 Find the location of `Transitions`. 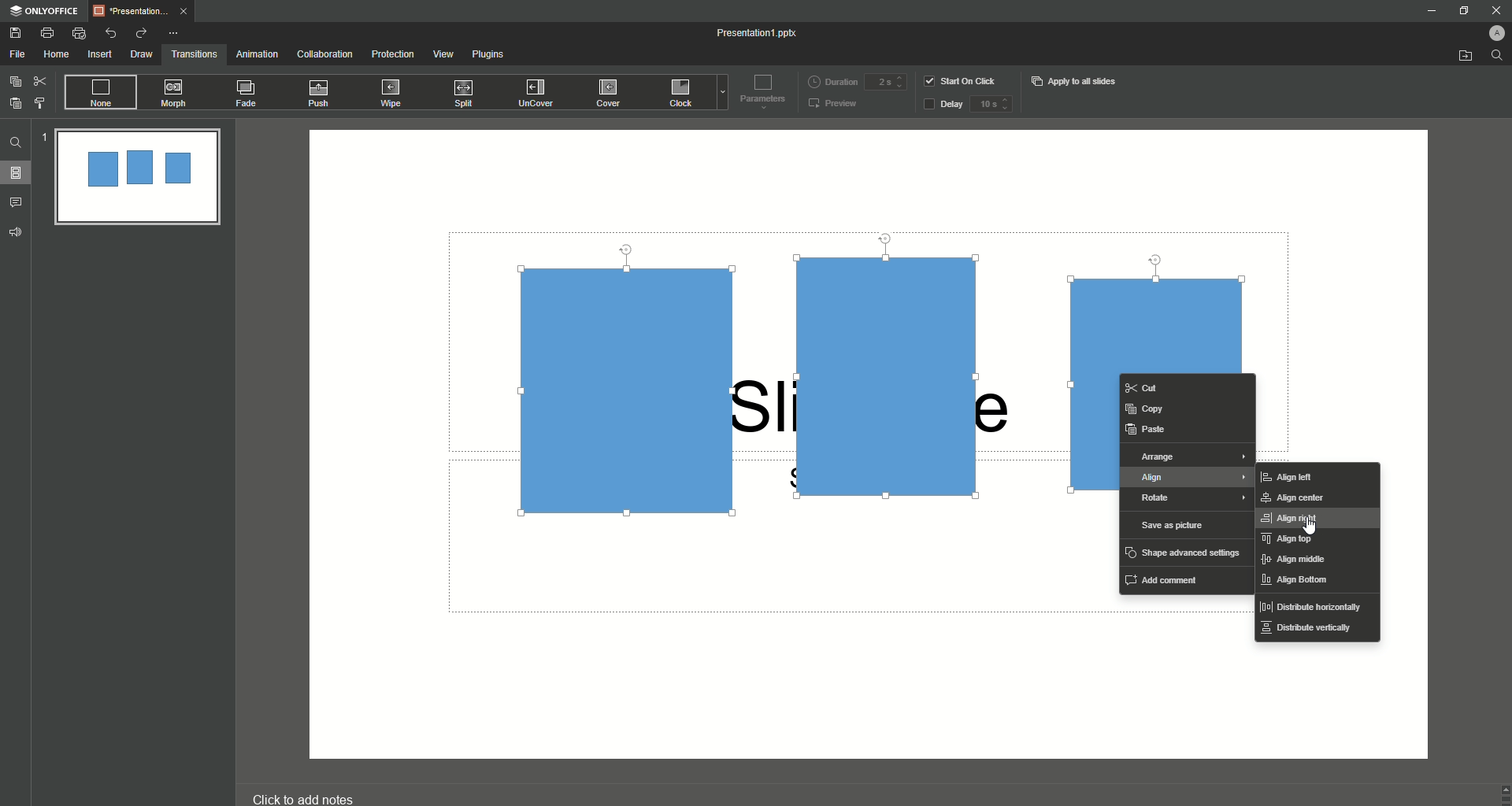

Transitions is located at coordinates (195, 53).